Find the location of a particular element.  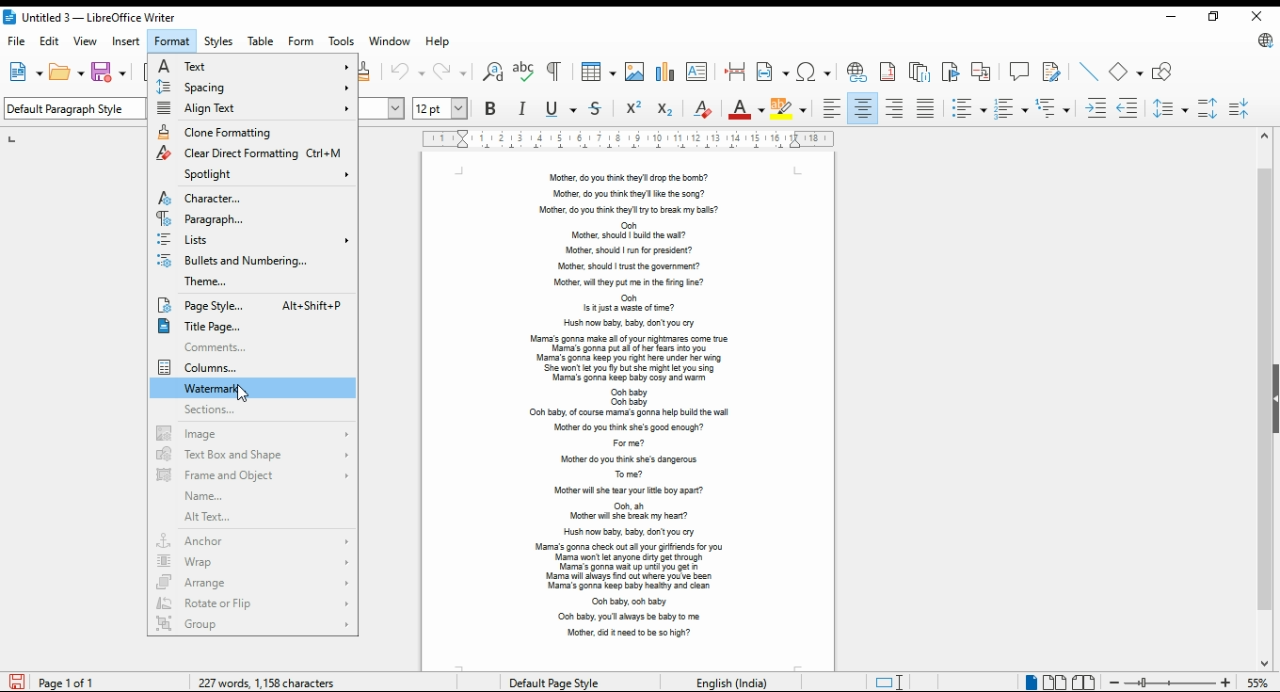

ruler is located at coordinates (627, 140).